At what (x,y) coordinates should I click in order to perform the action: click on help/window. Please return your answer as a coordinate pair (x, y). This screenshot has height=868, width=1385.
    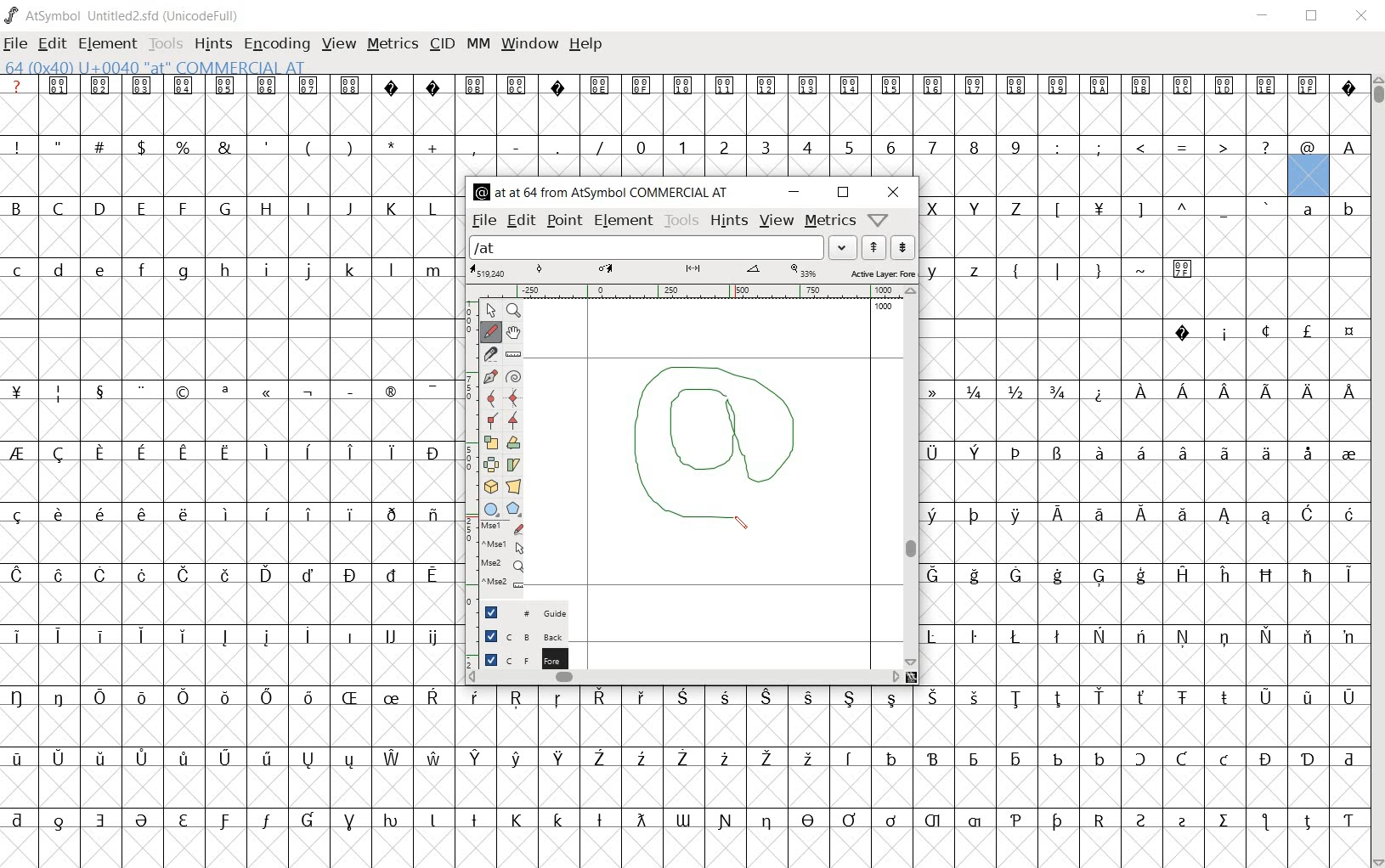
    Looking at the image, I should click on (881, 219).